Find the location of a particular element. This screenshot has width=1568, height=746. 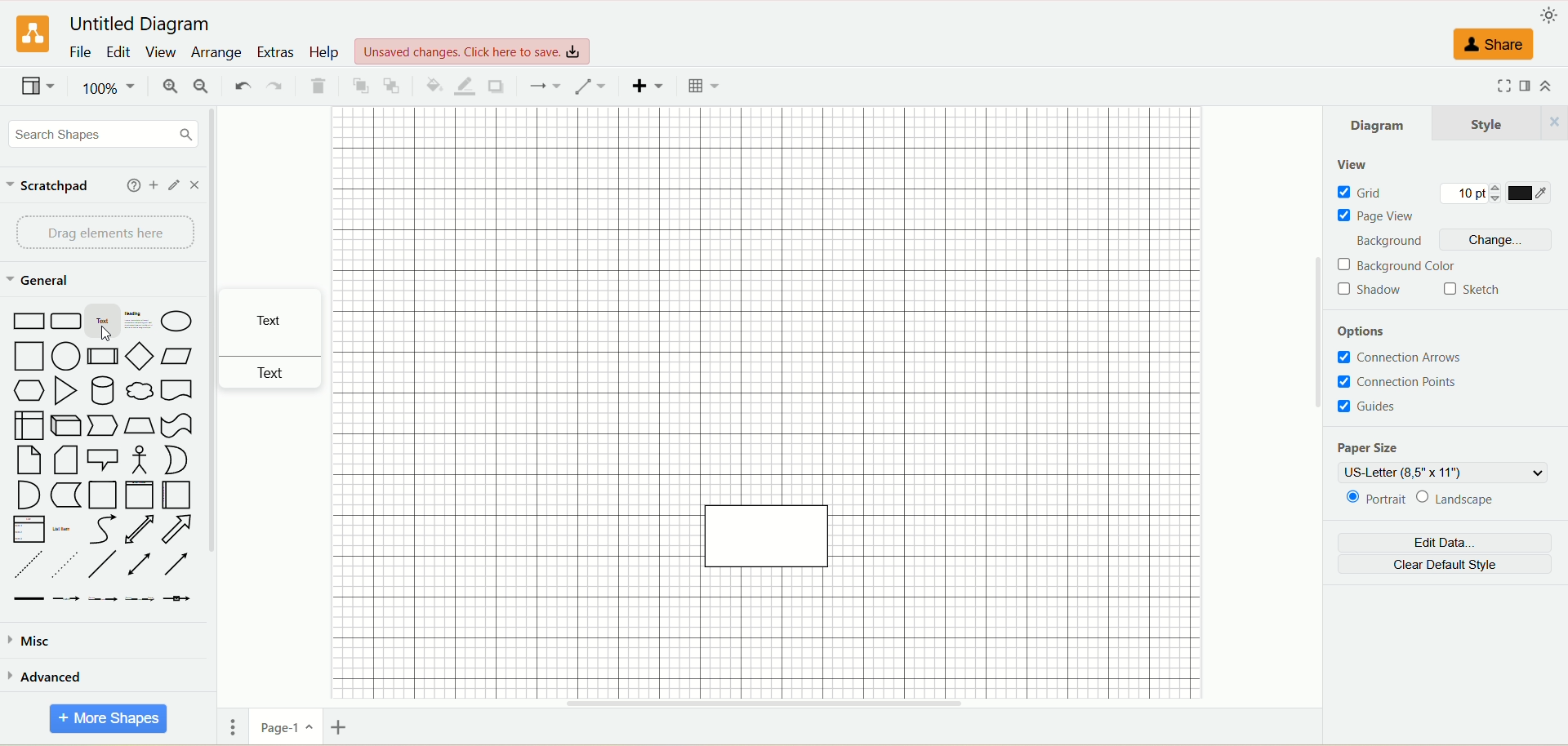

rectangle is located at coordinates (26, 320).